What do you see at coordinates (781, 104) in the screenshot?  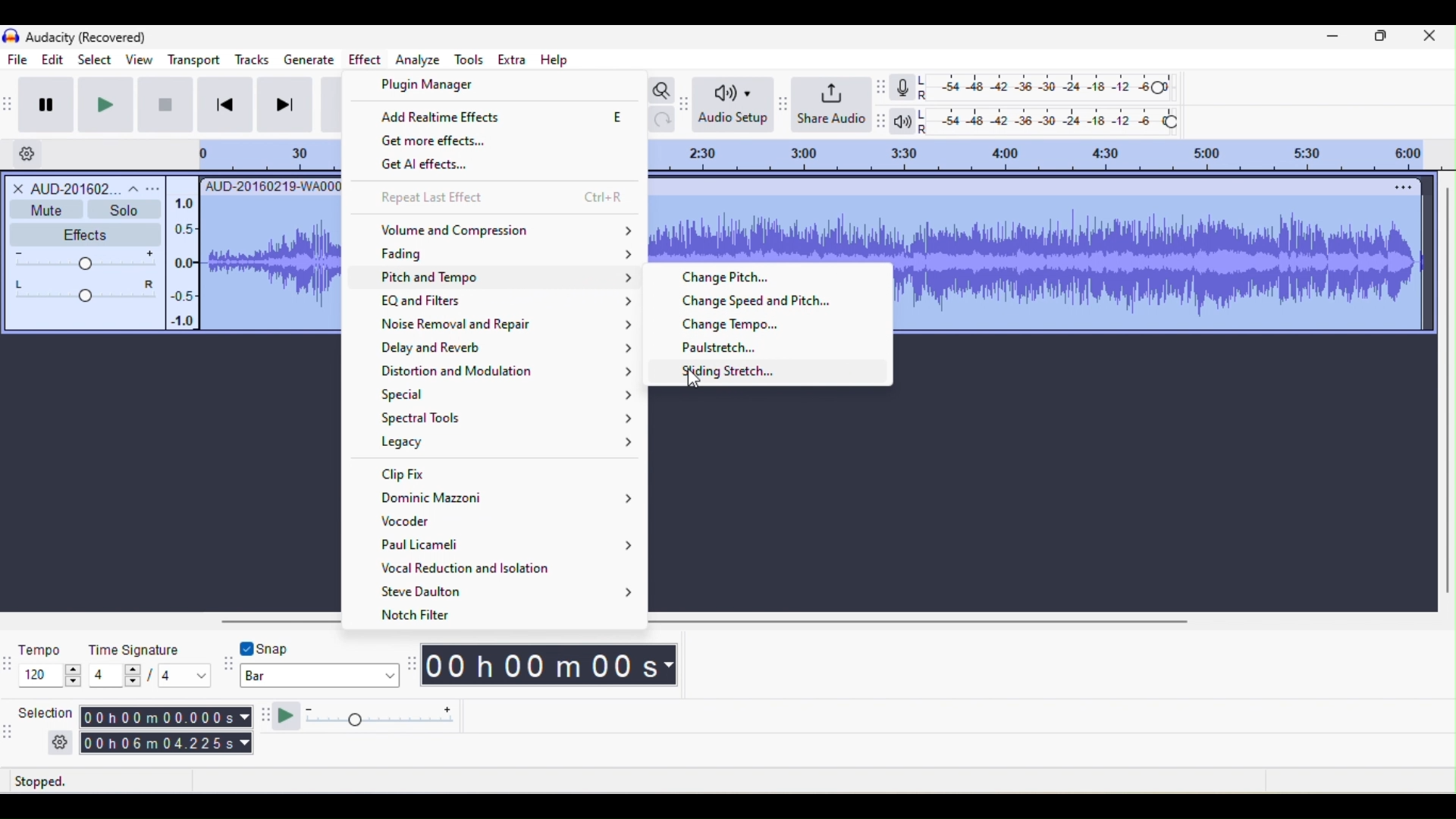 I see `audacity share audio` at bounding box center [781, 104].